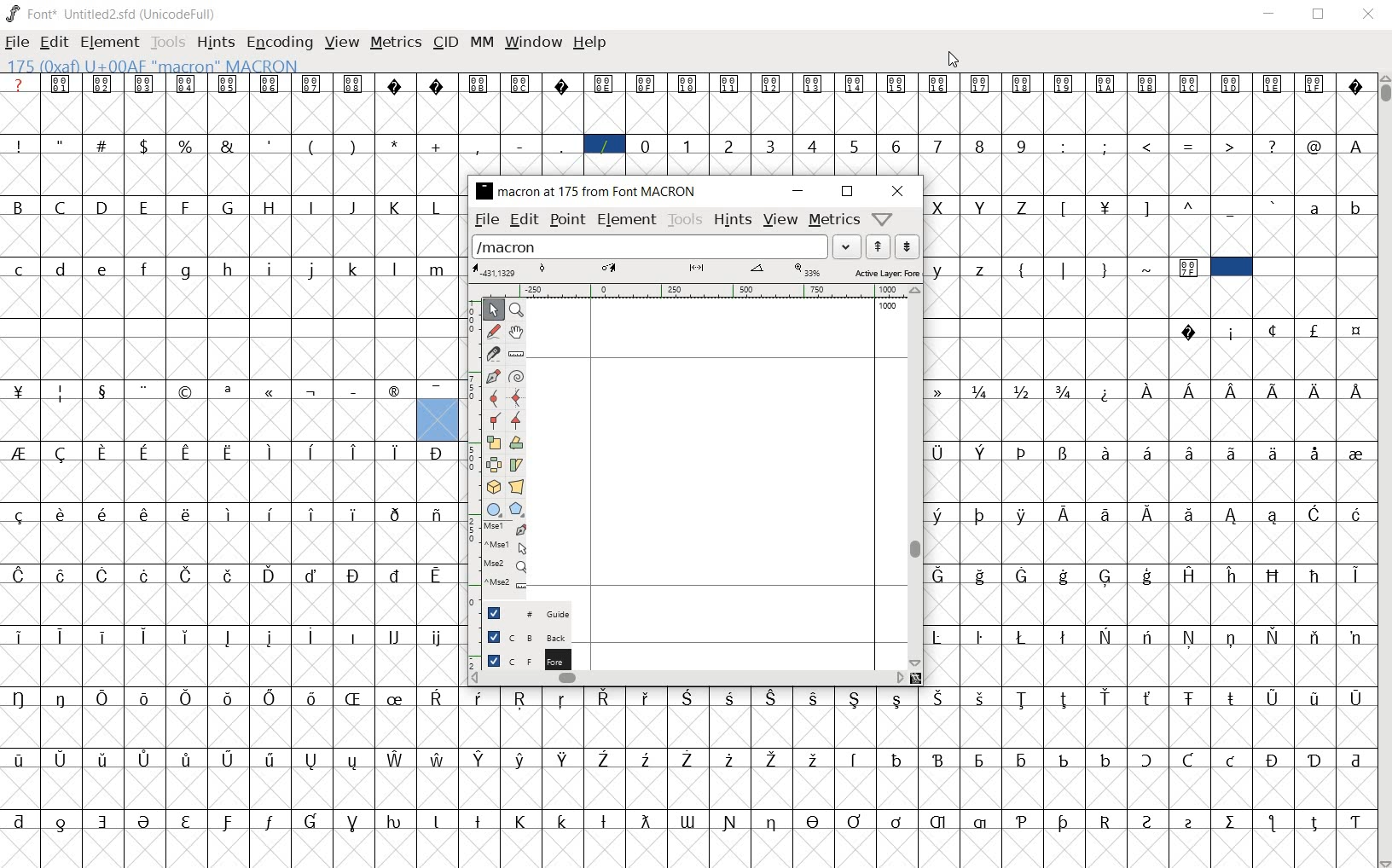  I want to click on polygon/star, so click(518, 509).